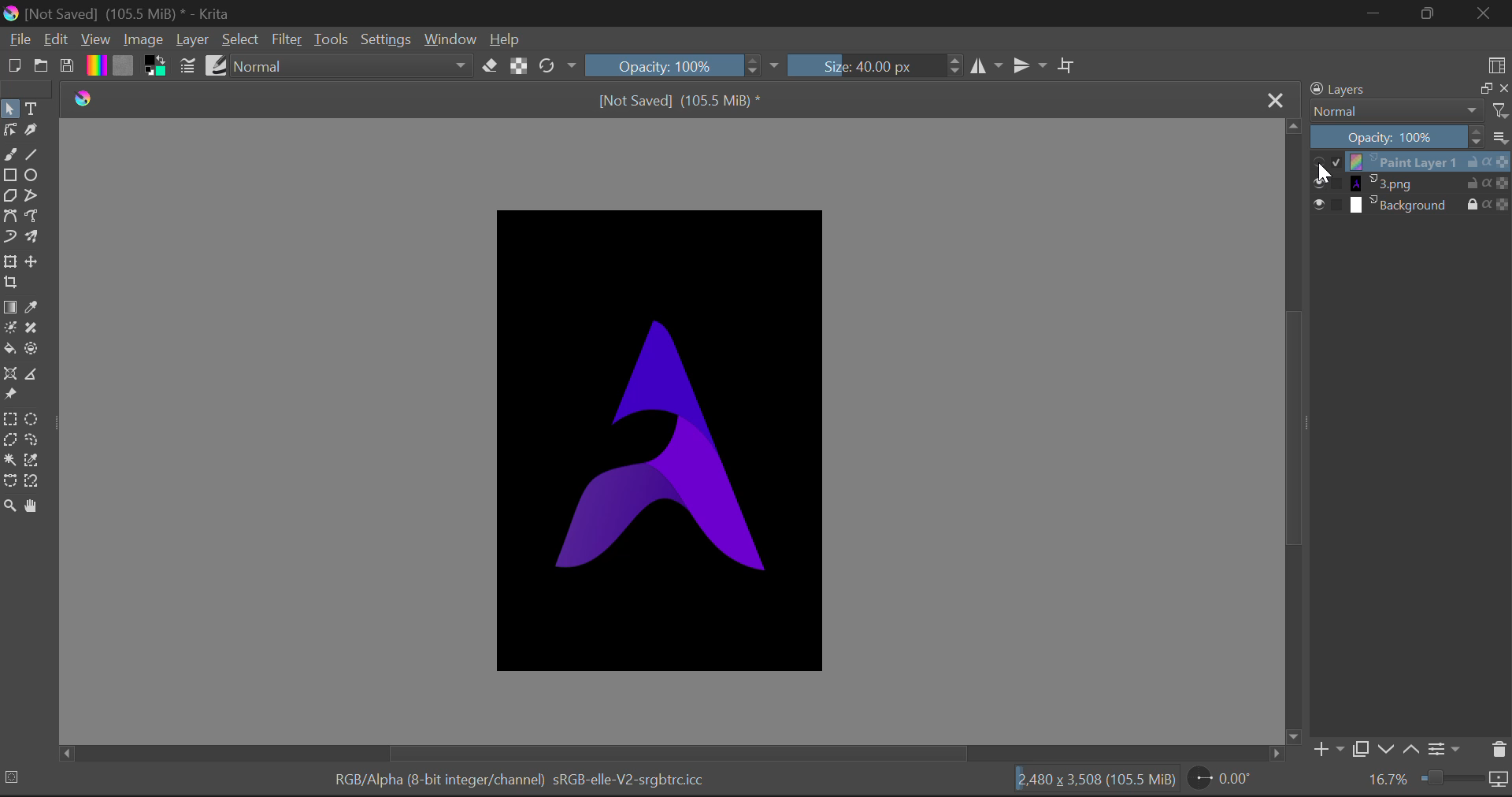 Image resolution: width=1512 pixels, height=797 pixels. Describe the element at coordinates (157, 67) in the screenshot. I see `Colors in use` at that location.